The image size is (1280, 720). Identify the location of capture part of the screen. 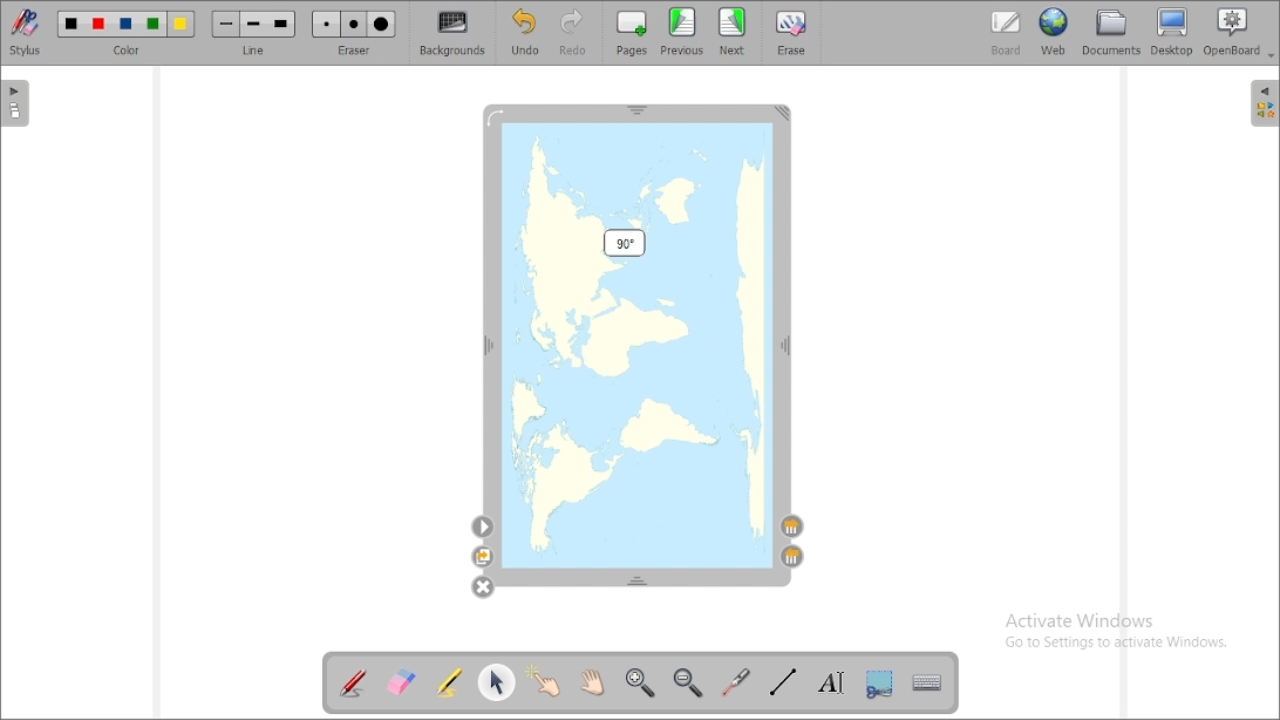
(880, 684).